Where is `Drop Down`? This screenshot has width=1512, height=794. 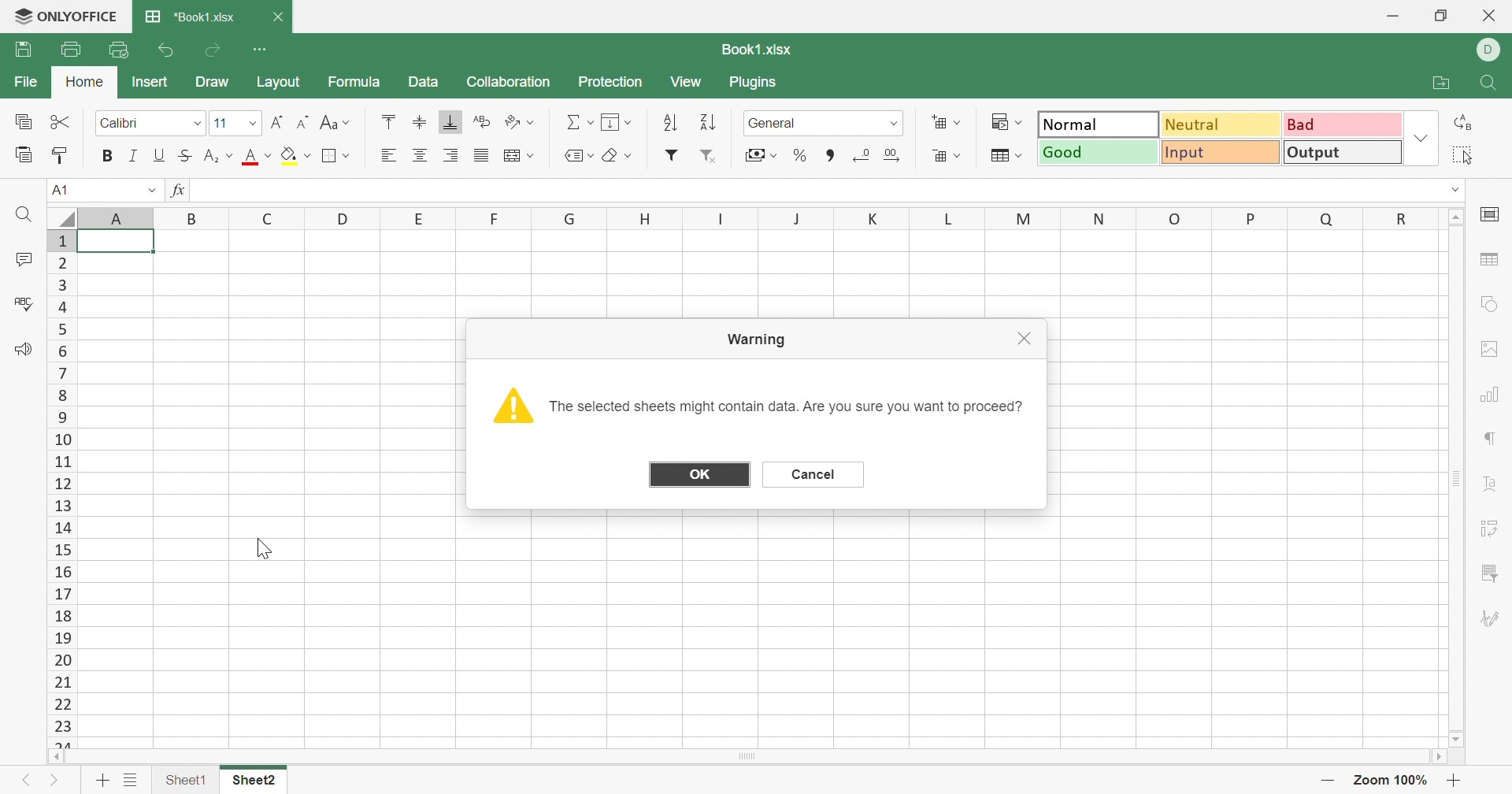 Drop Down is located at coordinates (150, 189).